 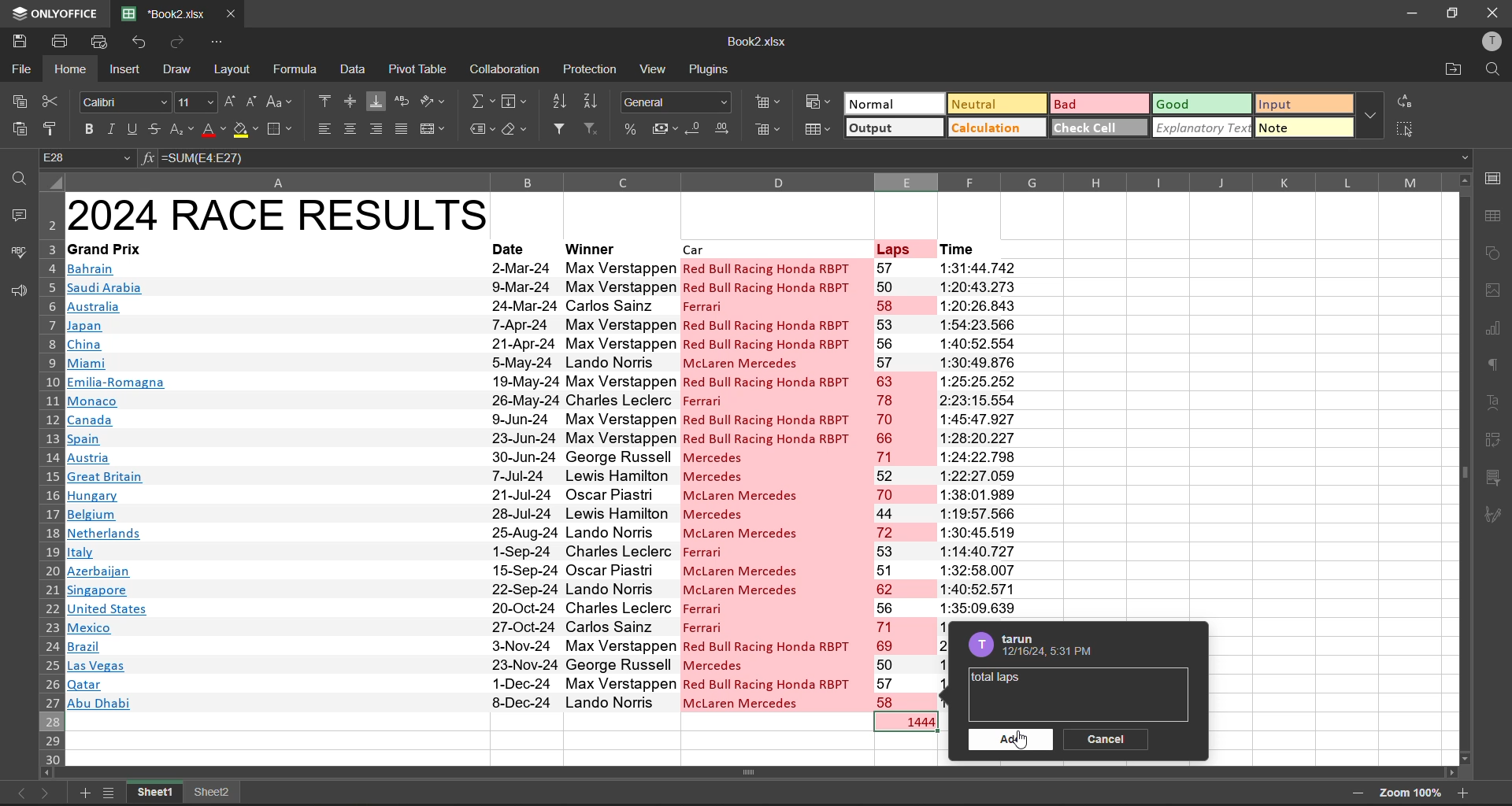 I want to click on insert, so click(x=128, y=71).